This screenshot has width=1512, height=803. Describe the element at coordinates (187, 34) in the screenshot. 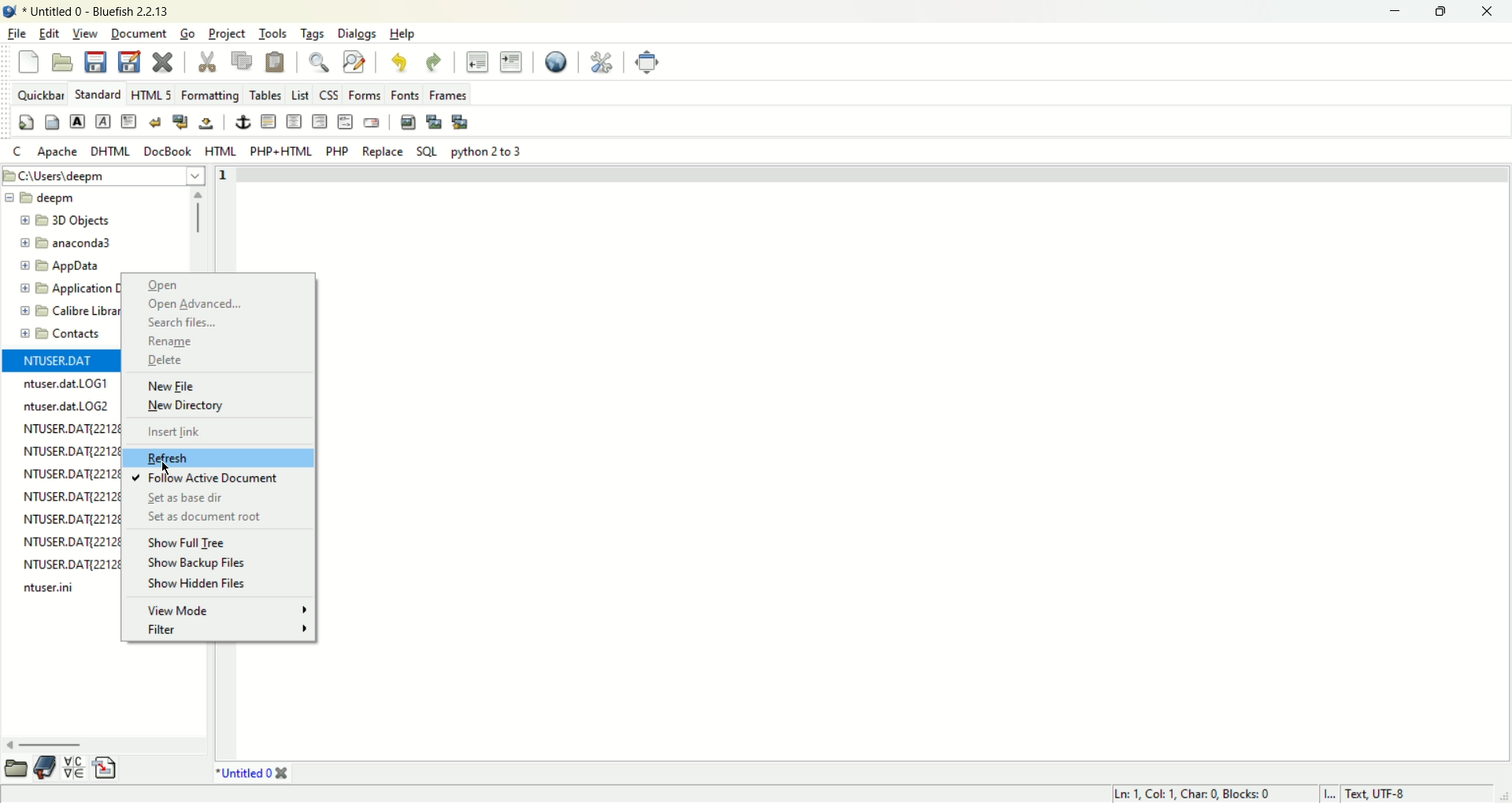

I see `go` at that location.